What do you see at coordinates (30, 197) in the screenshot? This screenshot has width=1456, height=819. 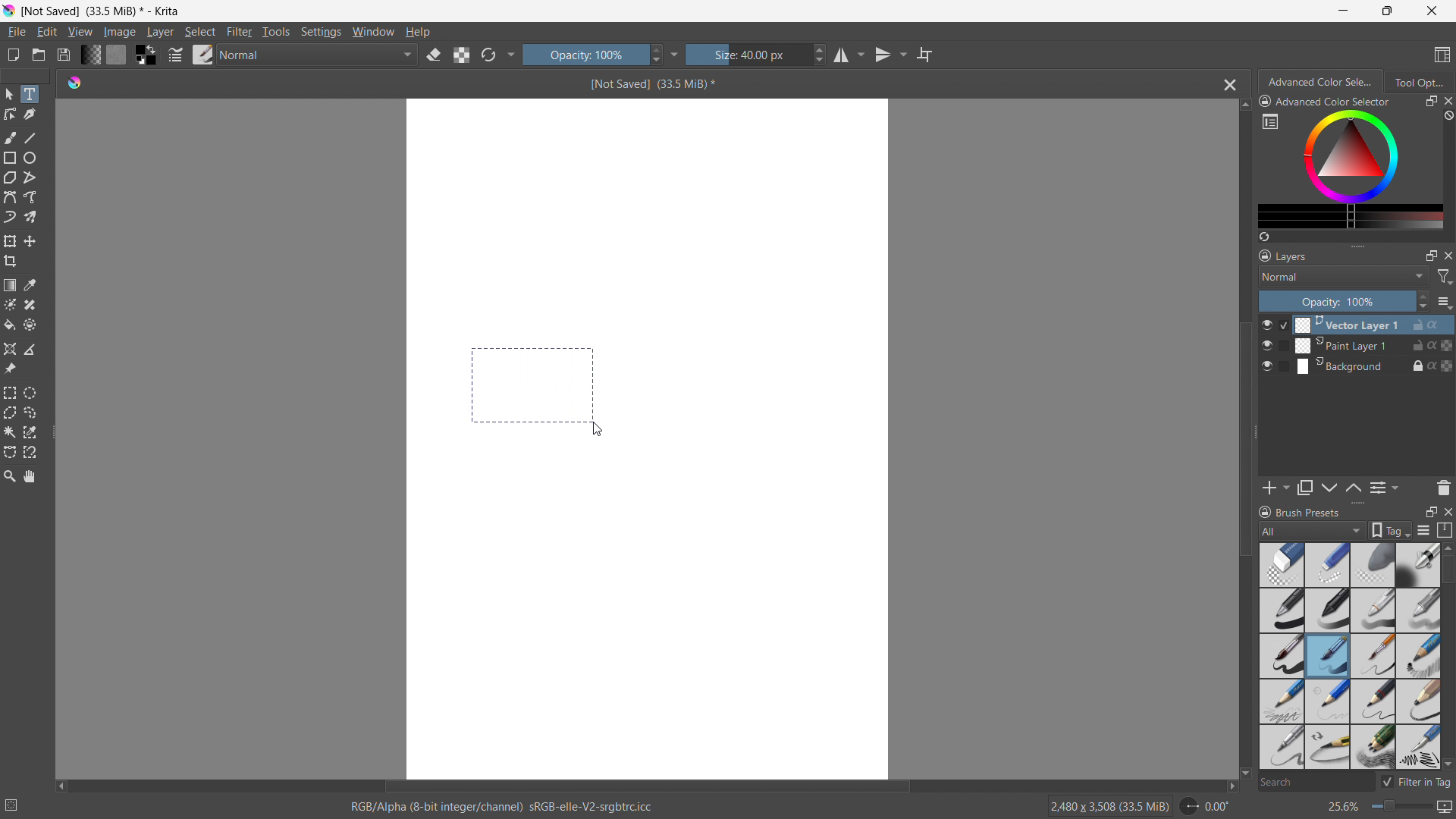 I see `freehand path tool` at bounding box center [30, 197].